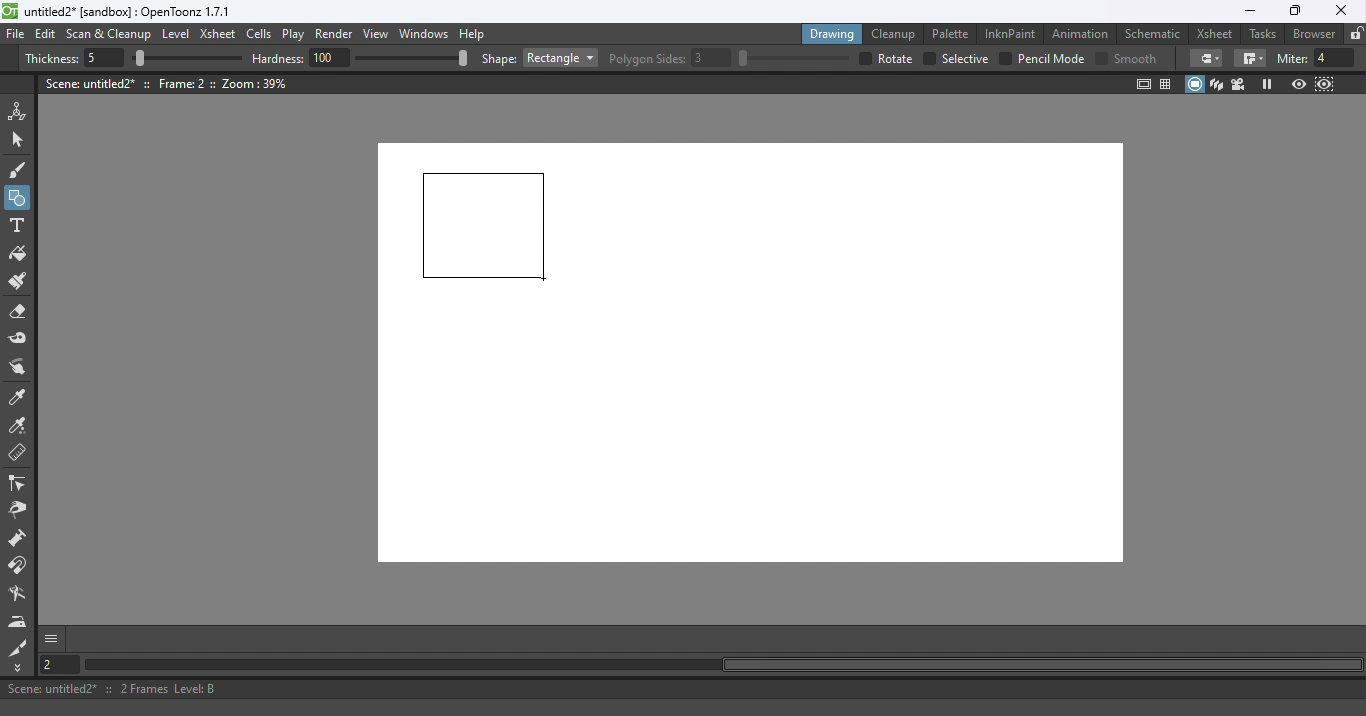  What do you see at coordinates (1249, 11) in the screenshot?
I see `Minimize` at bounding box center [1249, 11].